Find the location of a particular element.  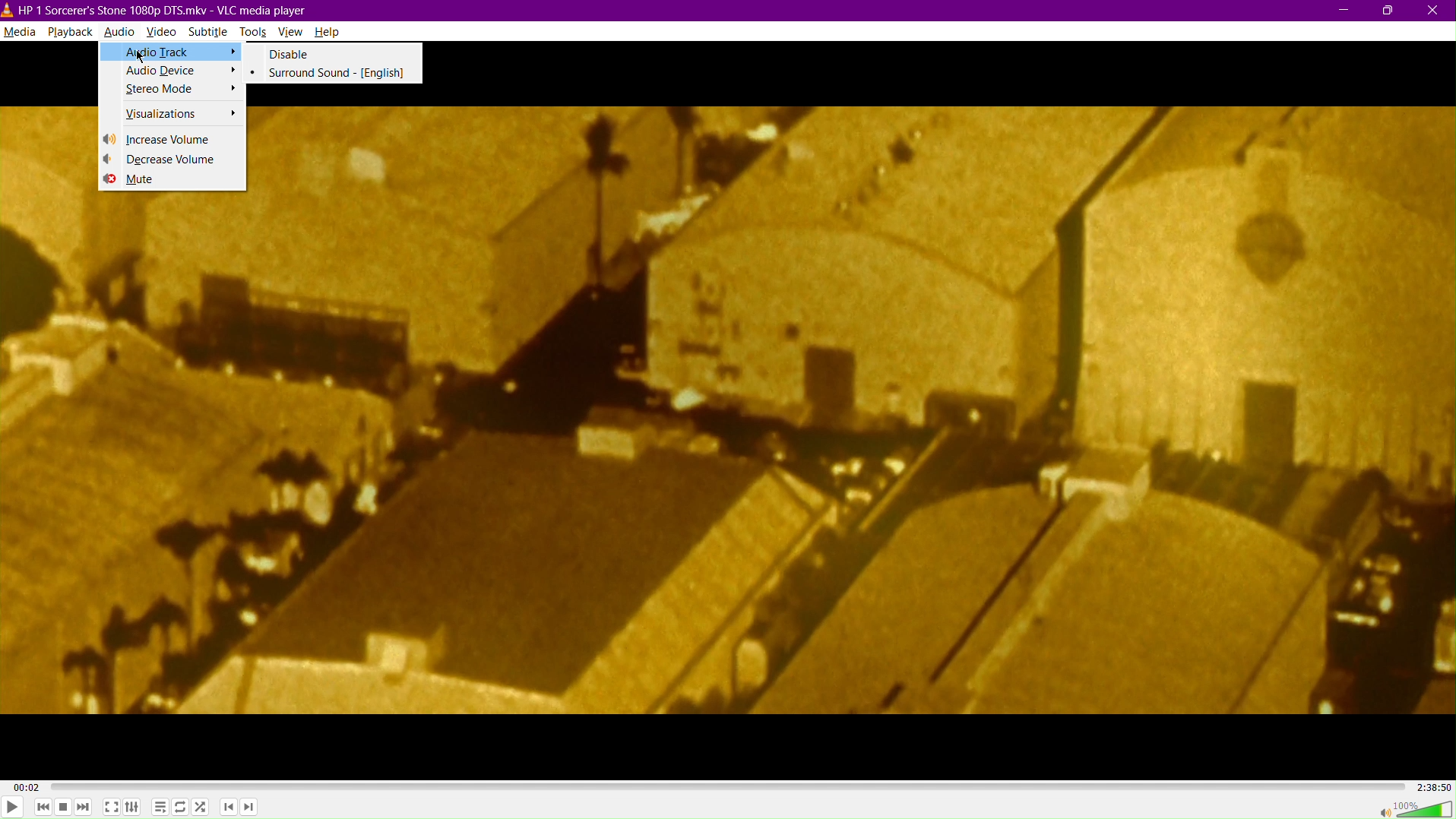

Mute is located at coordinates (172, 182).